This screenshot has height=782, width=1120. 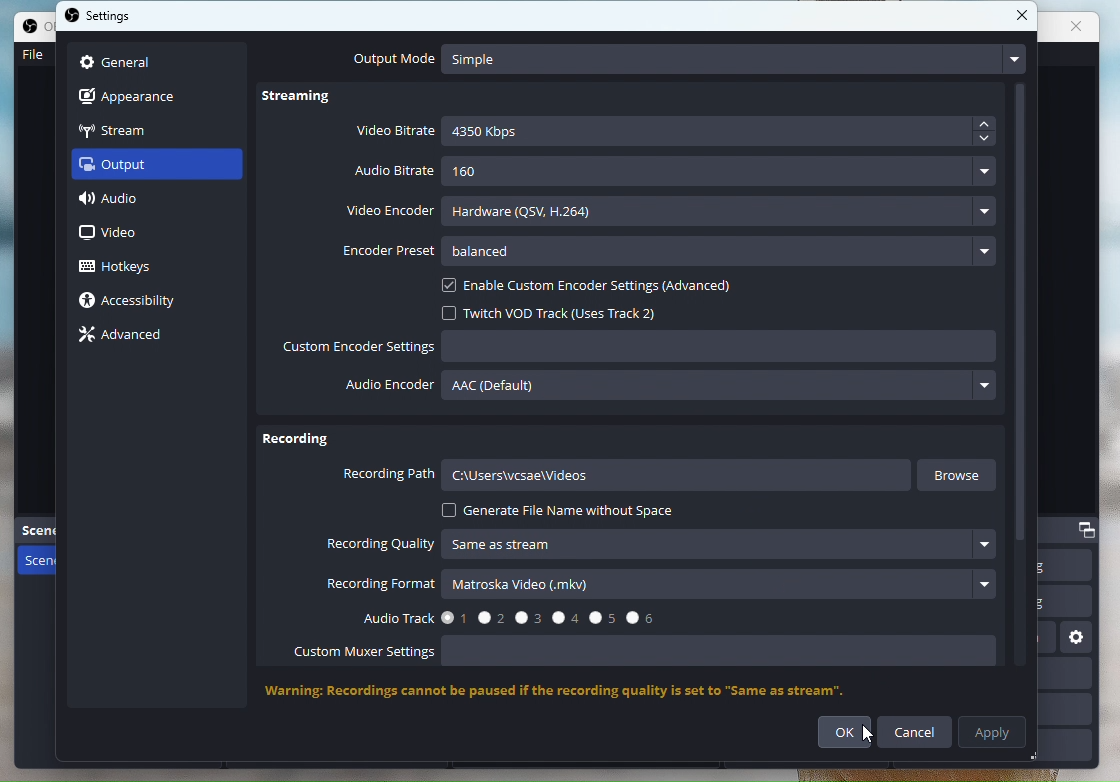 I want to click on Audio Track, so click(x=502, y=616).